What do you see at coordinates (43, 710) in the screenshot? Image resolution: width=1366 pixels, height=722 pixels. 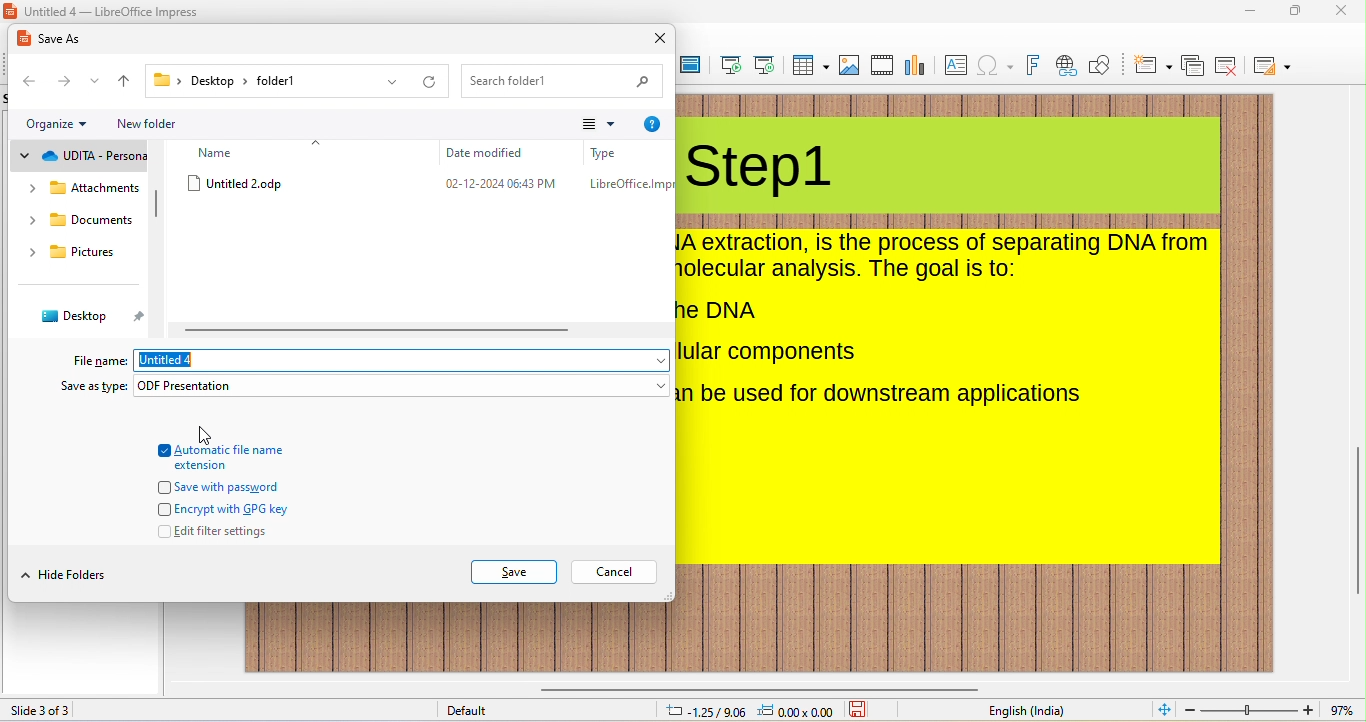 I see `slide 3 of 3` at bounding box center [43, 710].